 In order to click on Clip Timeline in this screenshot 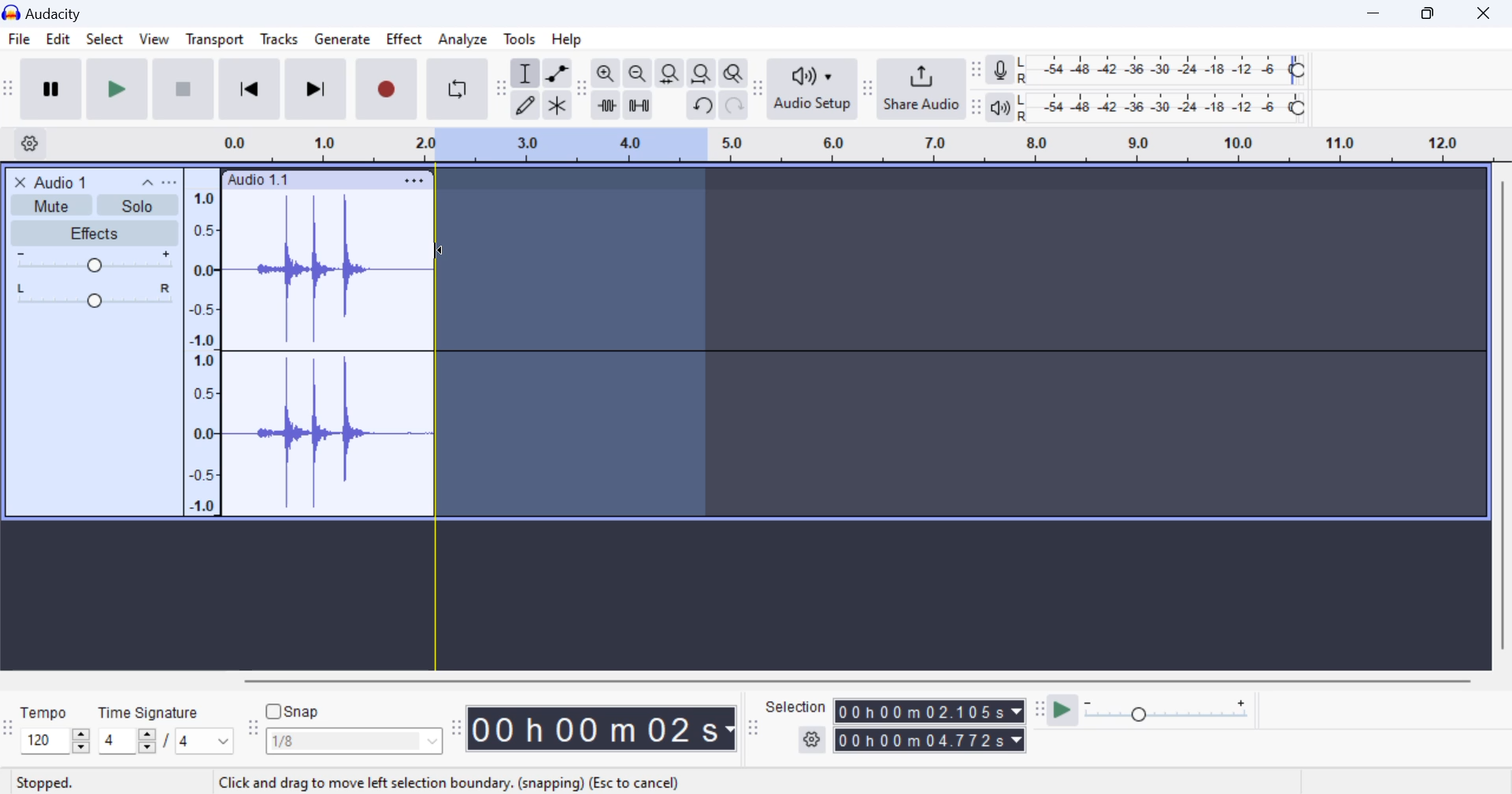, I will do `click(841, 147)`.